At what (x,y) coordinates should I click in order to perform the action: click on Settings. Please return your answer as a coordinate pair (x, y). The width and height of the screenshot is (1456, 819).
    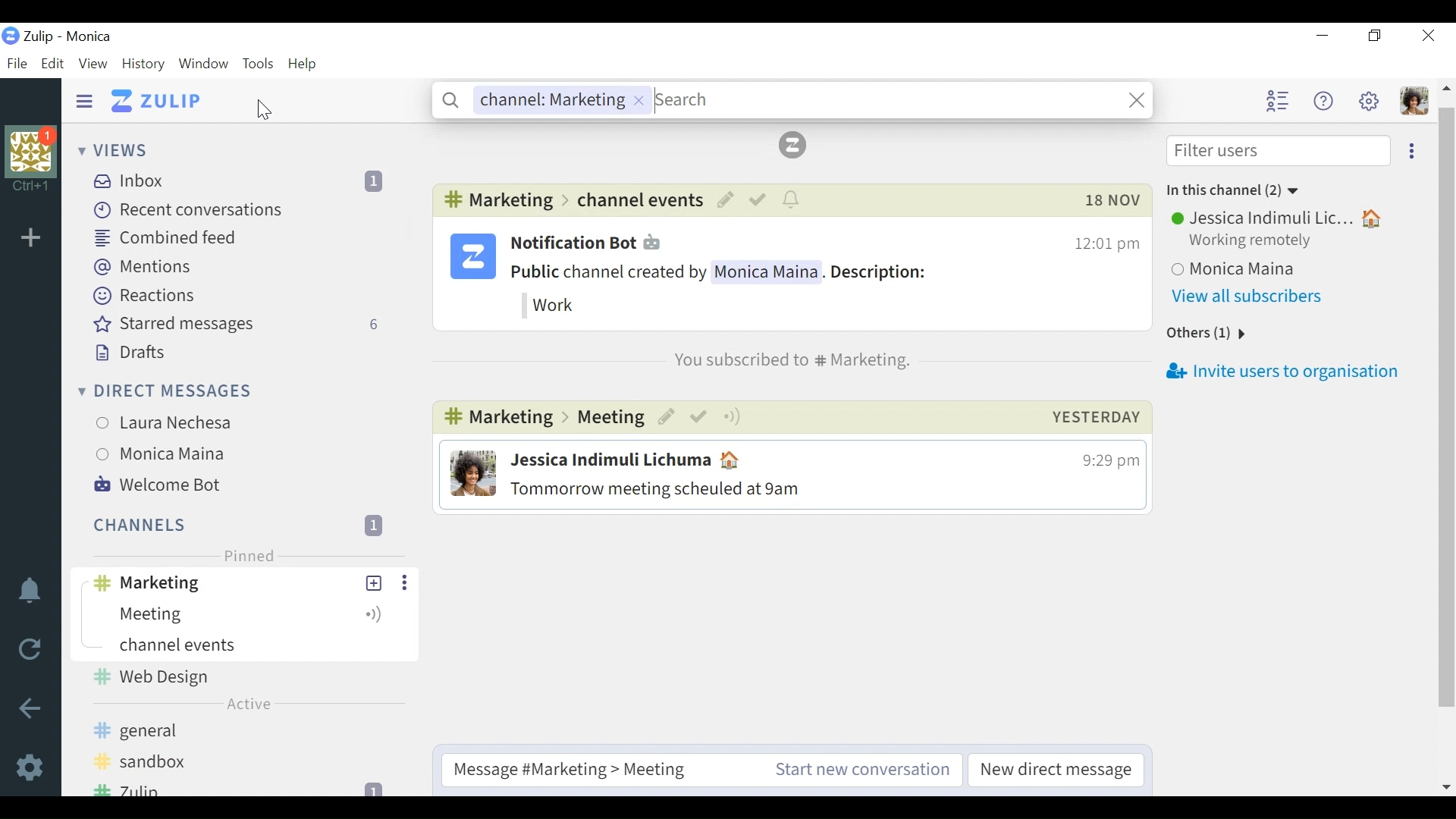
    Looking at the image, I should click on (1371, 100).